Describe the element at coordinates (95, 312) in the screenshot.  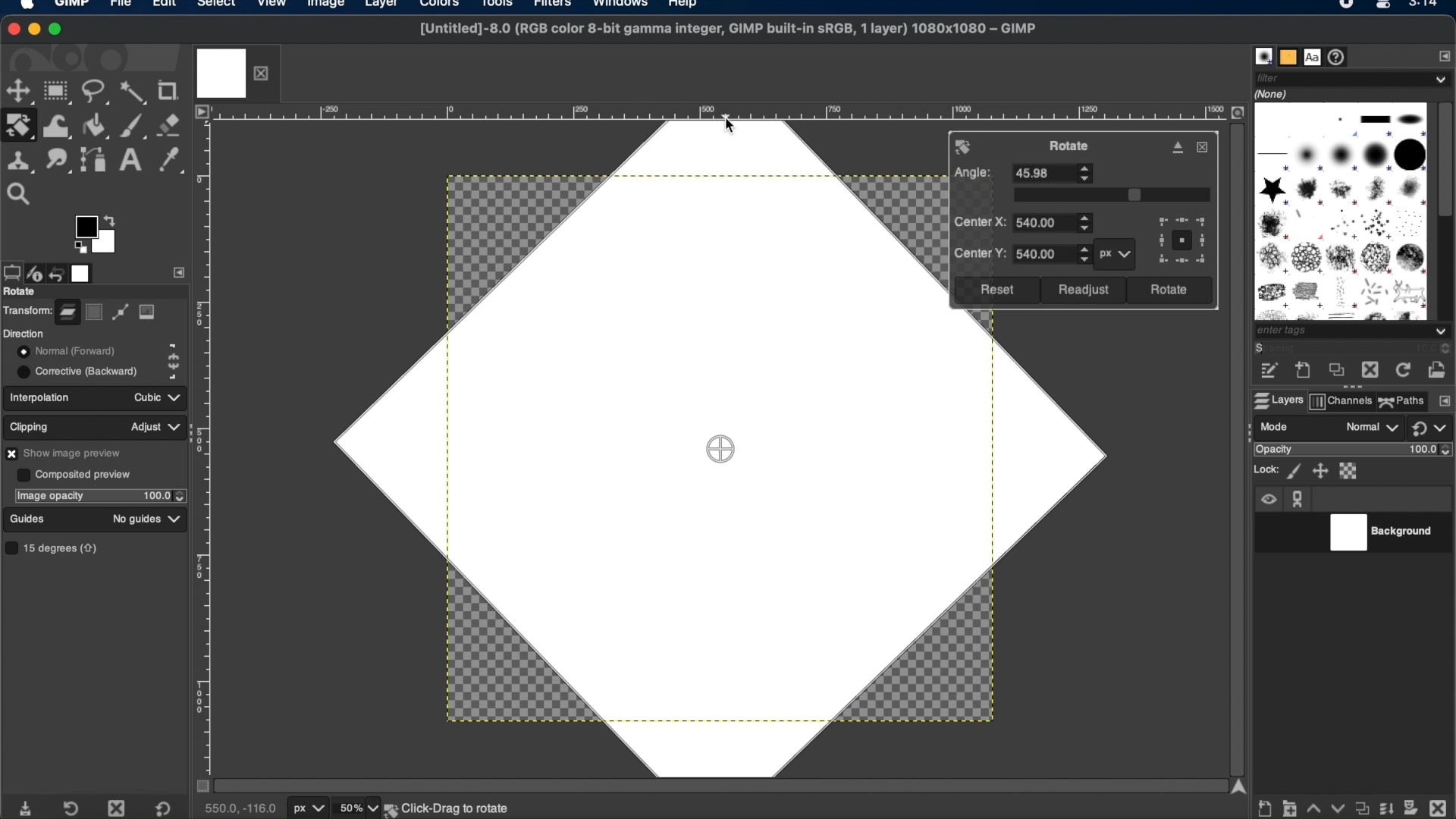
I see `selection ` at that location.